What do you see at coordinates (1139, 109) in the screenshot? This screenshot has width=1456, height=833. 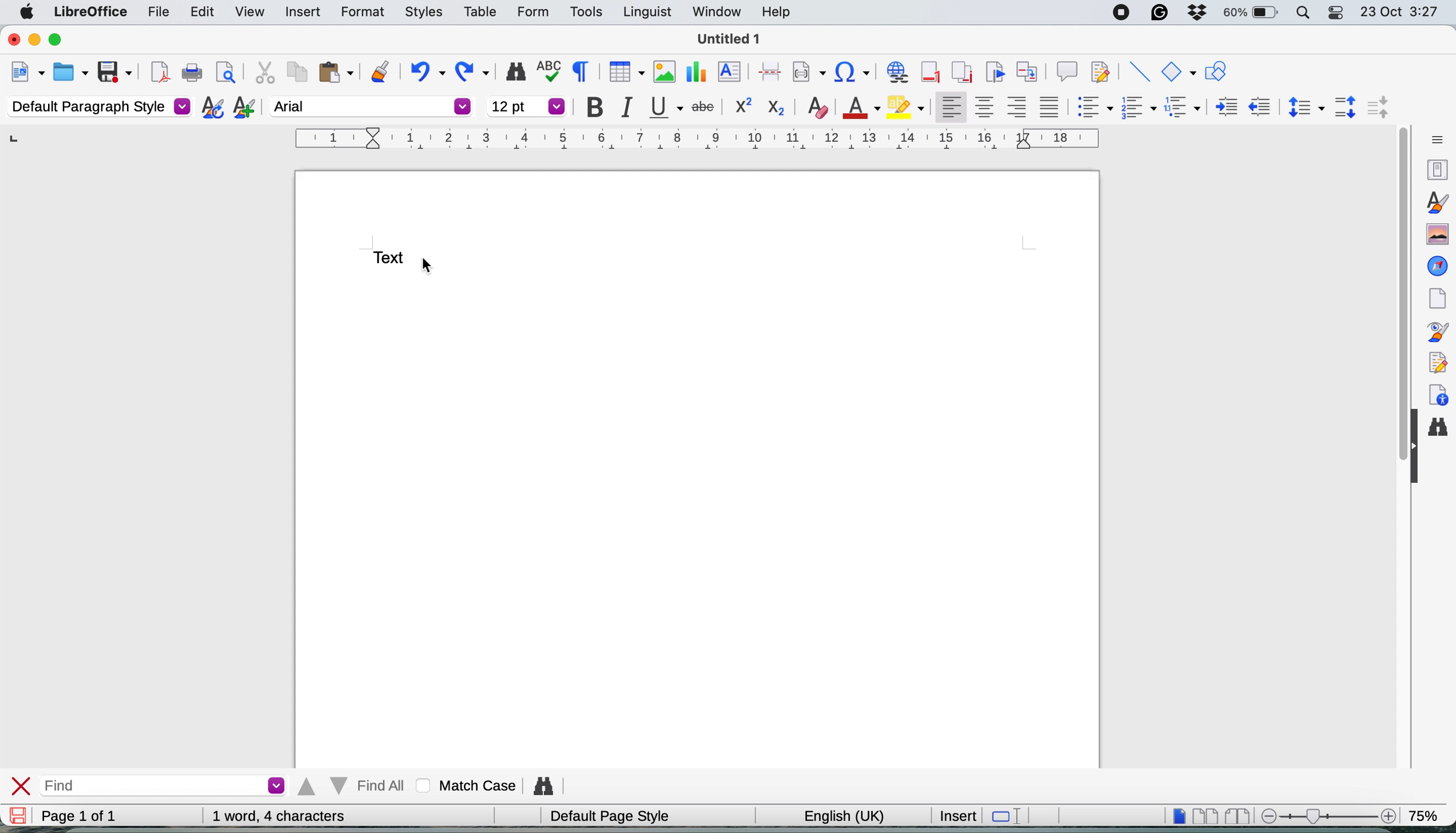 I see `toggle ordered list` at bounding box center [1139, 109].